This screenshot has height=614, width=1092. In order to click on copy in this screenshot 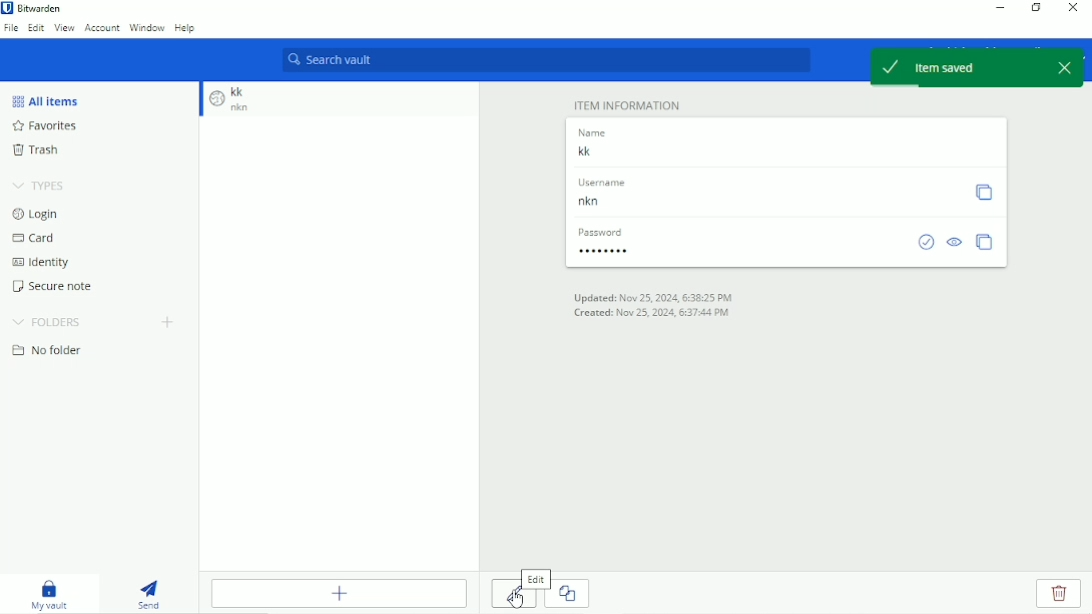, I will do `click(568, 594)`.